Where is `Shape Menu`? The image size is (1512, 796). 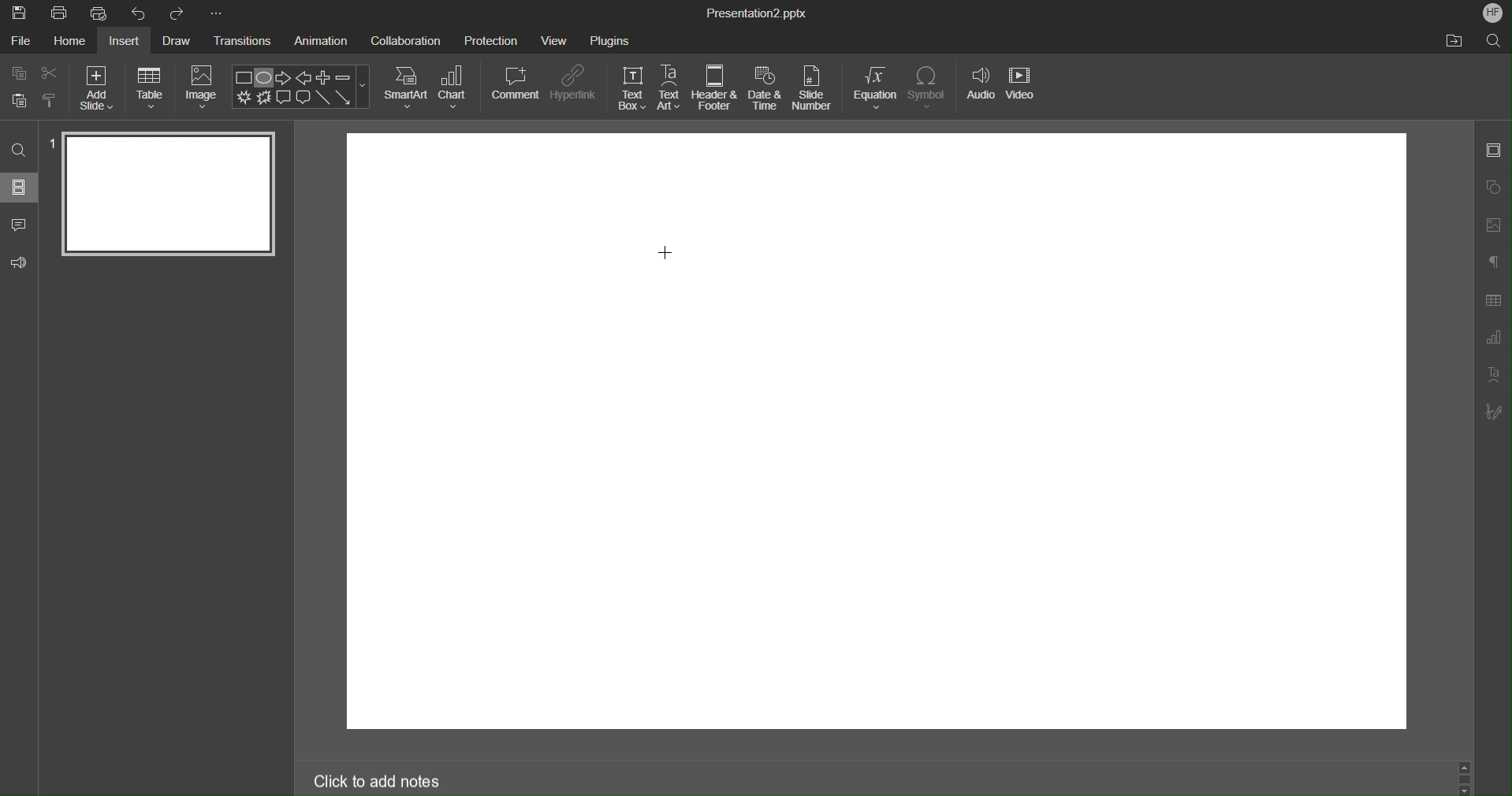 Shape Menu is located at coordinates (300, 87).